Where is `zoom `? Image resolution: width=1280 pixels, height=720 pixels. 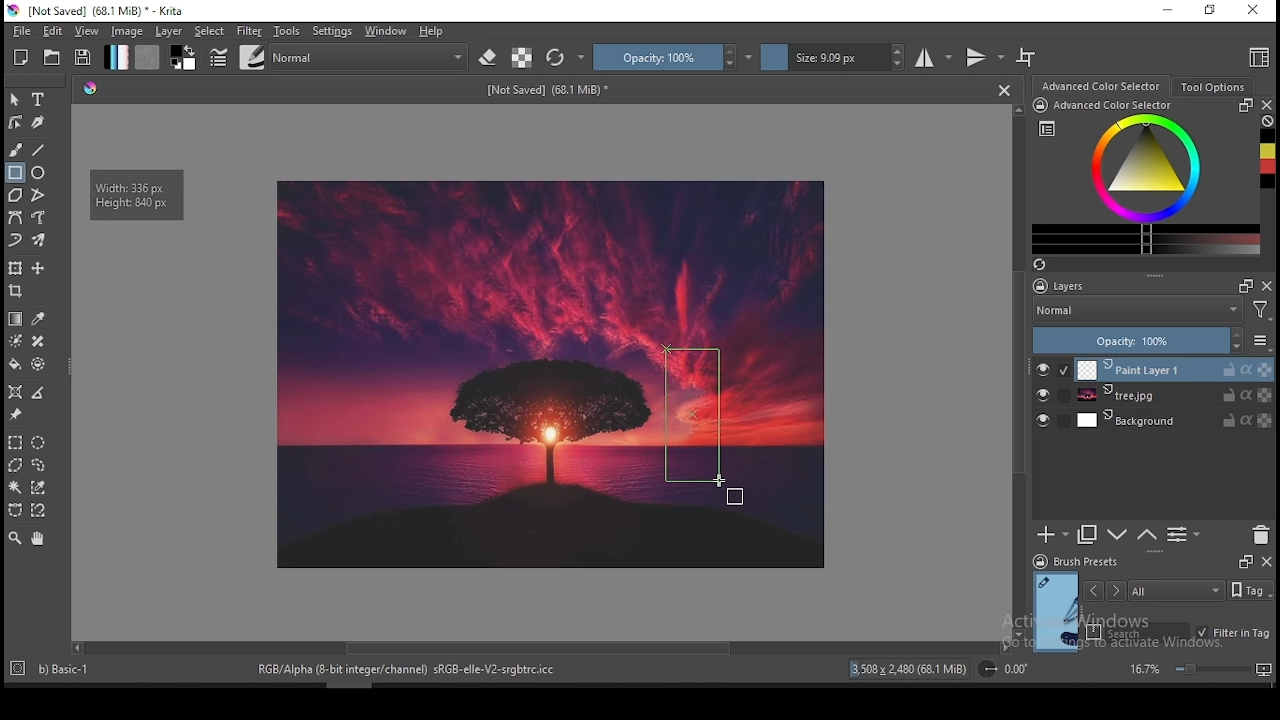
zoom  is located at coordinates (1199, 669).